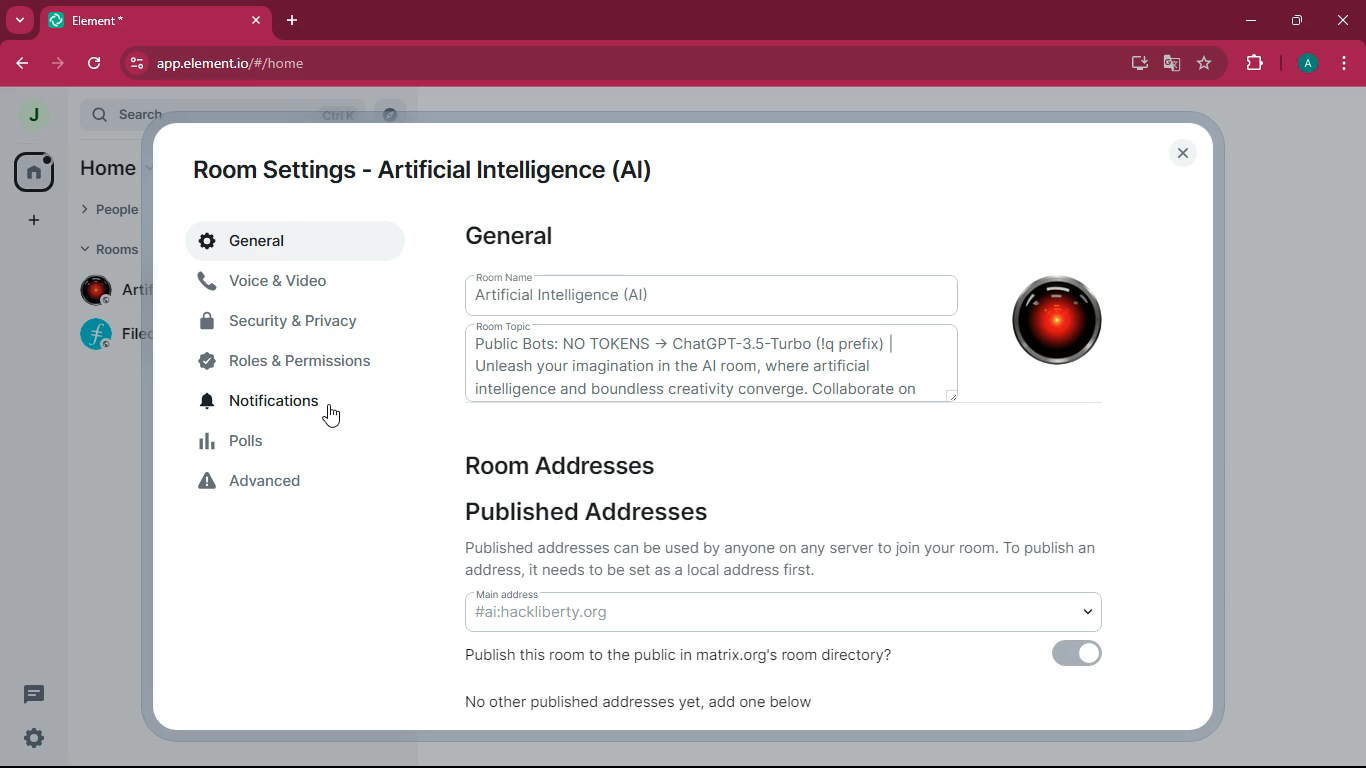 Image resolution: width=1366 pixels, height=768 pixels. What do you see at coordinates (1079, 657) in the screenshot?
I see `off` at bounding box center [1079, 657].